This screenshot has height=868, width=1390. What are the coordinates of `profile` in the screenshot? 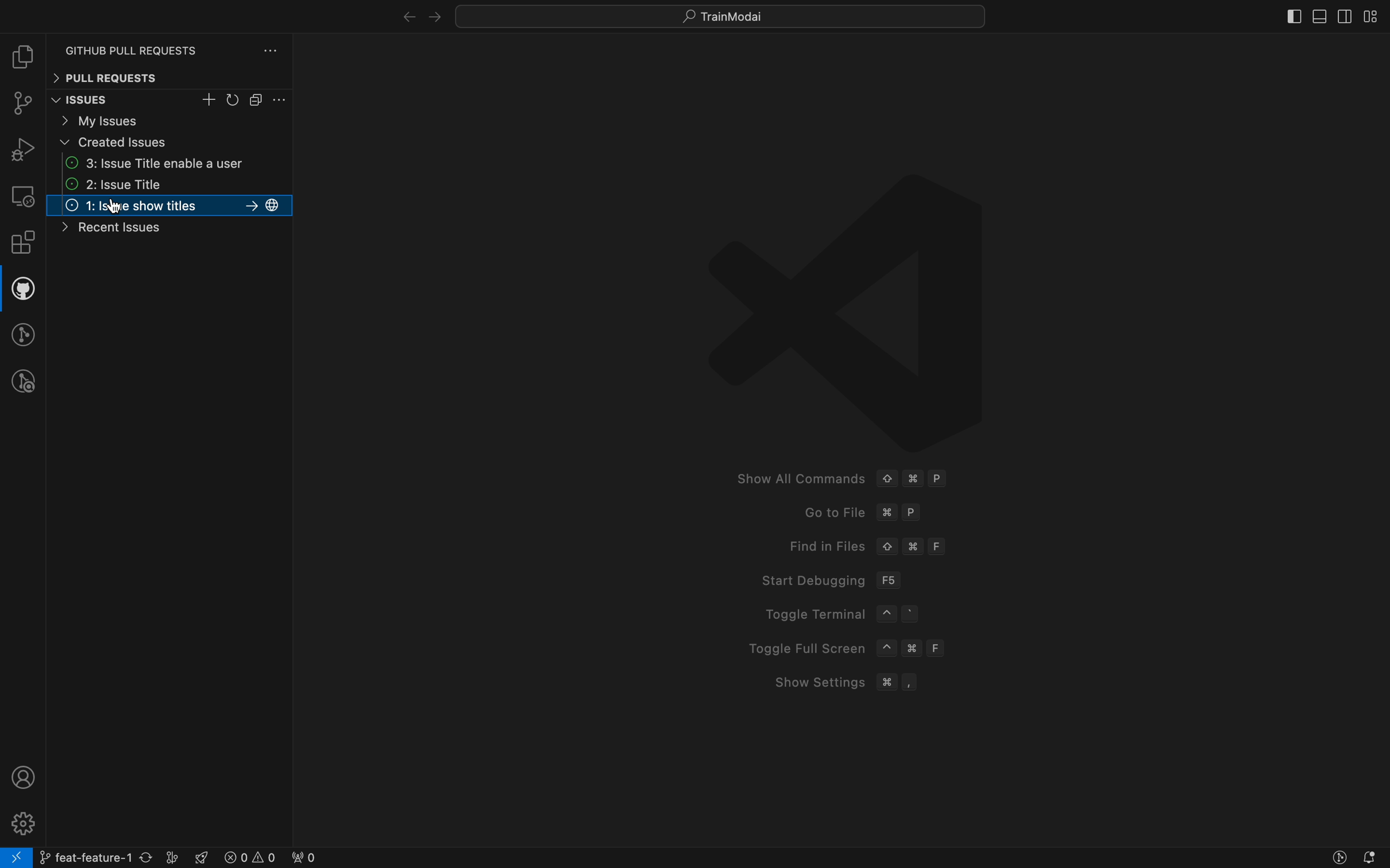 It's located at (20, 777).